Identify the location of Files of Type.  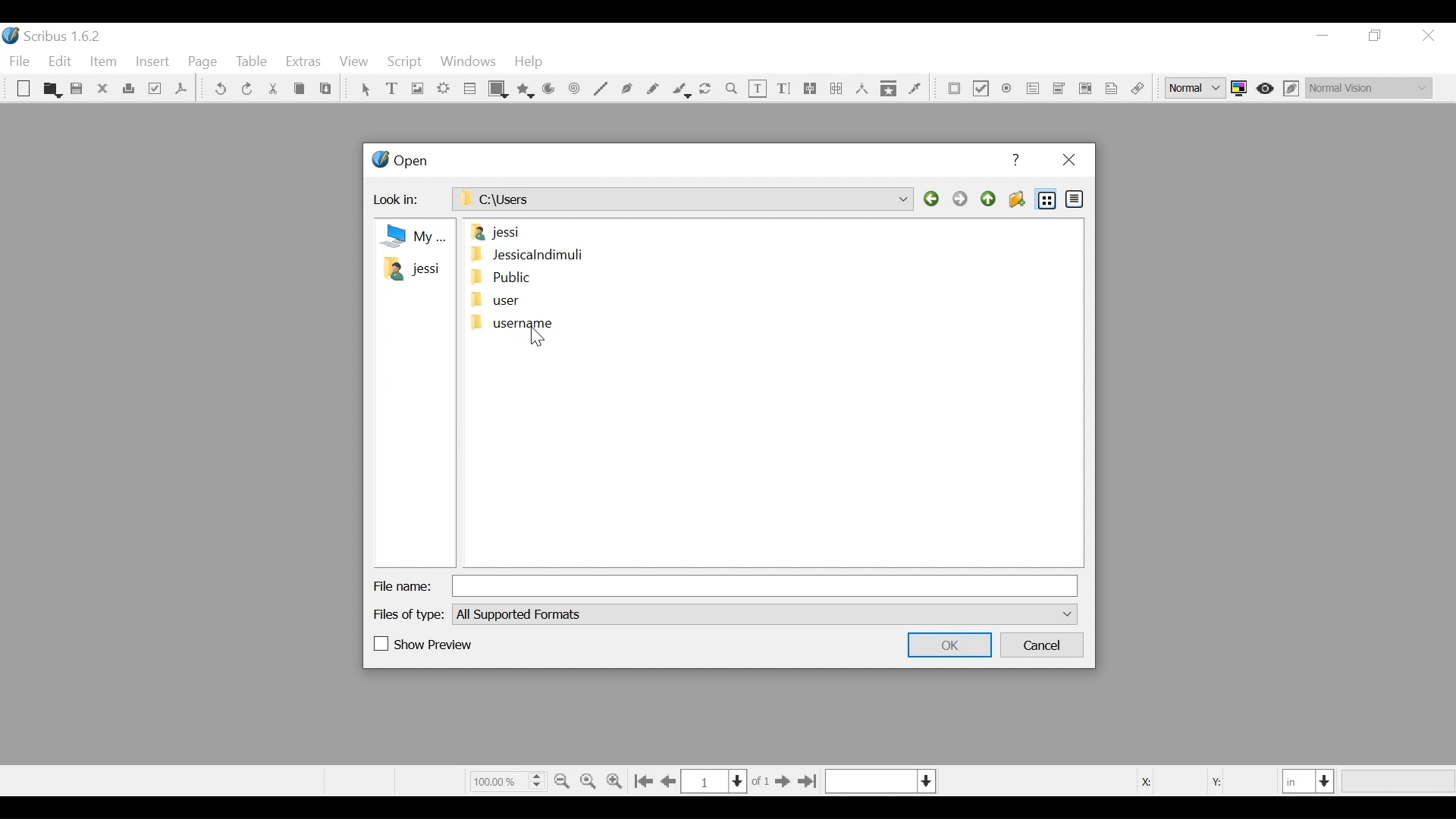
(410, 613).